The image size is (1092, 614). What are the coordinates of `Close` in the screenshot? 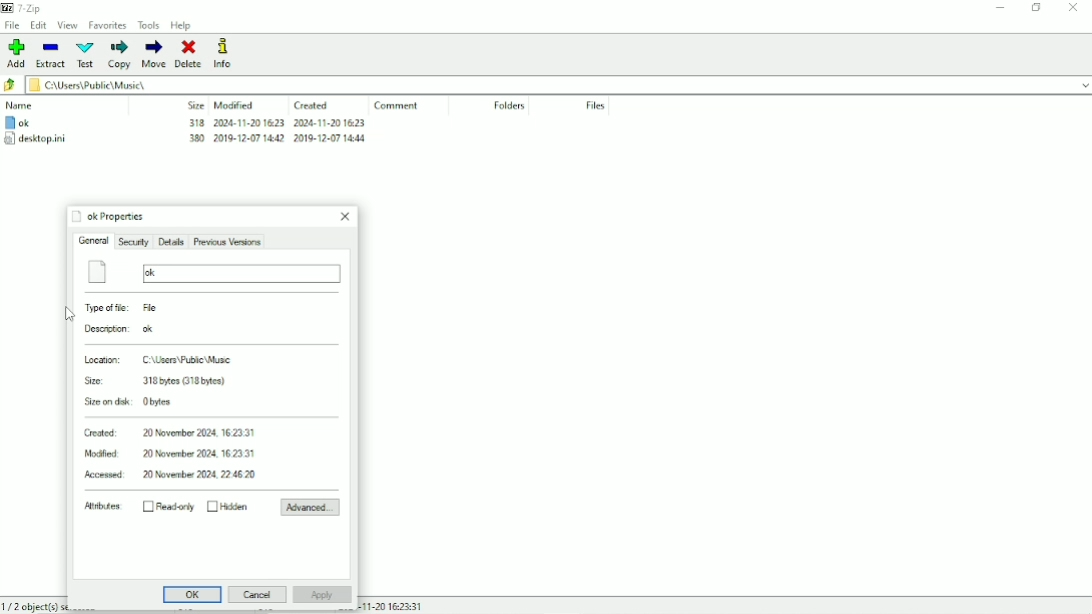 It's located at (346, 216).